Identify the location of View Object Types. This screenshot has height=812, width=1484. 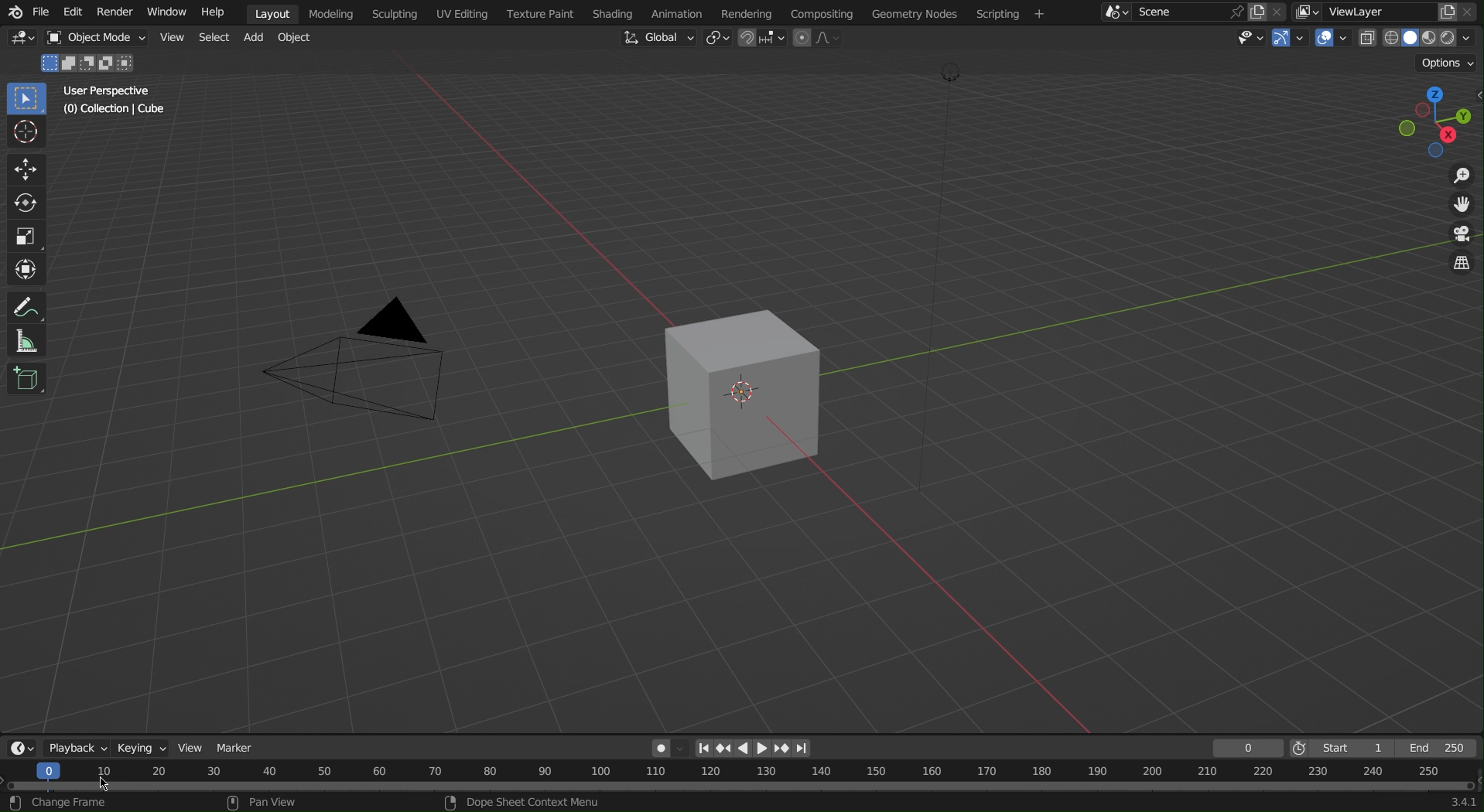
(1250, 37).